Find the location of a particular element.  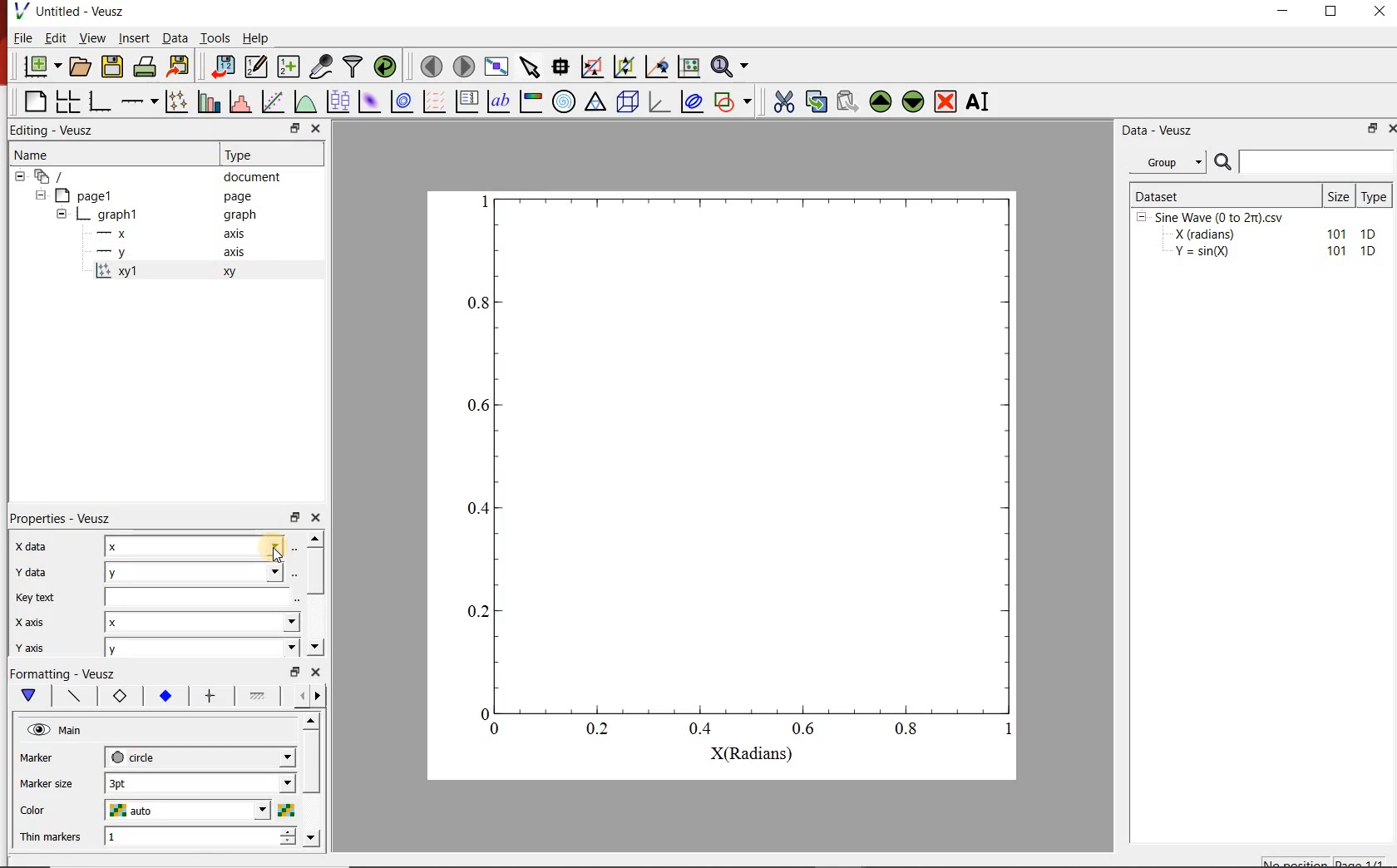

3d graph is located at coordinates (659, 101).